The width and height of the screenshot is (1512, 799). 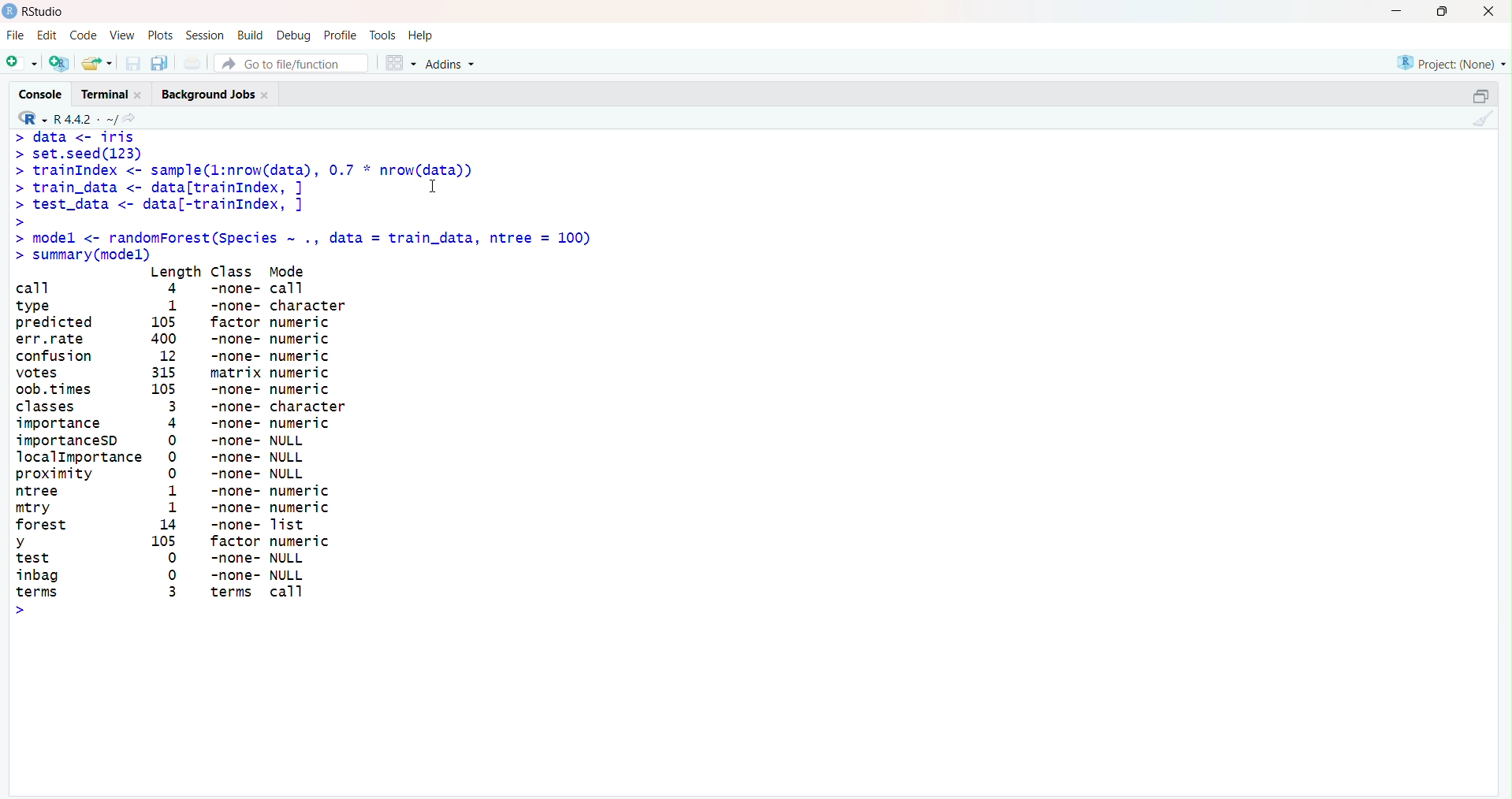 What do you see at coordinates (1450, 62) in the screenshot?
I see `Project (None)` at bounding box center [1450, 62].